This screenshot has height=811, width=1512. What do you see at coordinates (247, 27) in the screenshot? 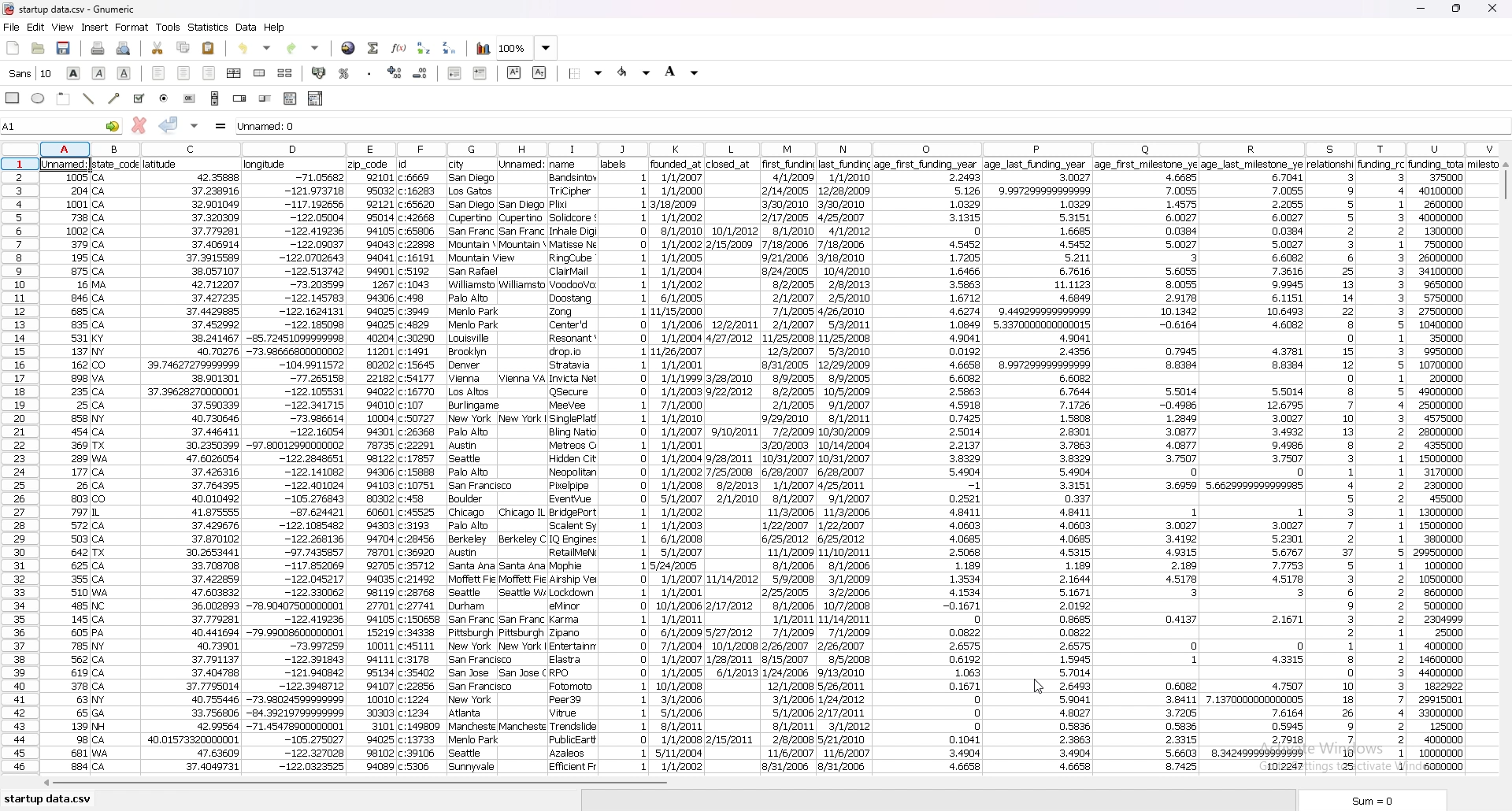
I see `data` at bounding box center [247, 27].